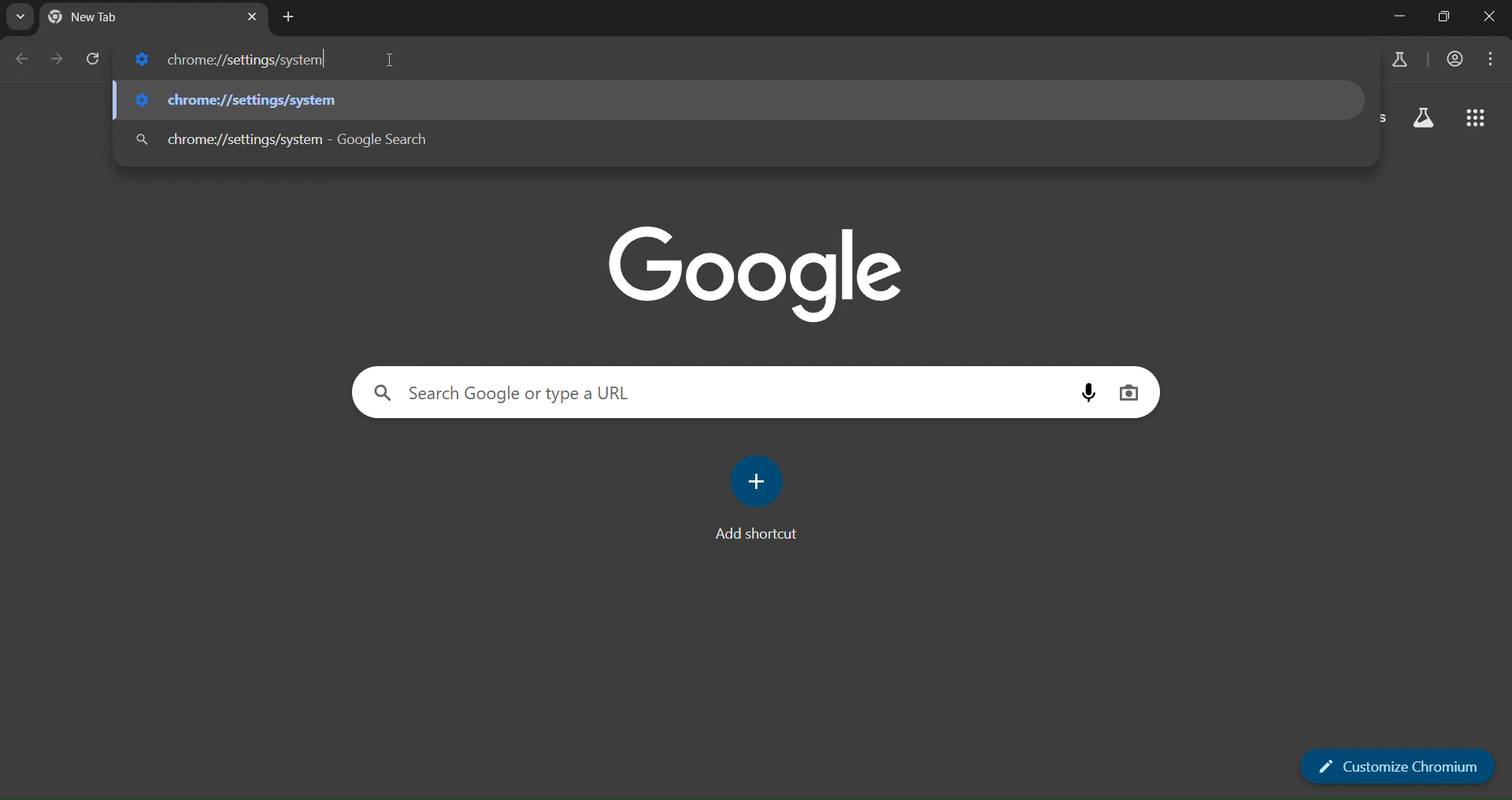 The width and height of the screenshot is (1512, 800). What do you see at coordinates (761, 270) in the screenshot?
I see `google` at bounding box center [761, 270].